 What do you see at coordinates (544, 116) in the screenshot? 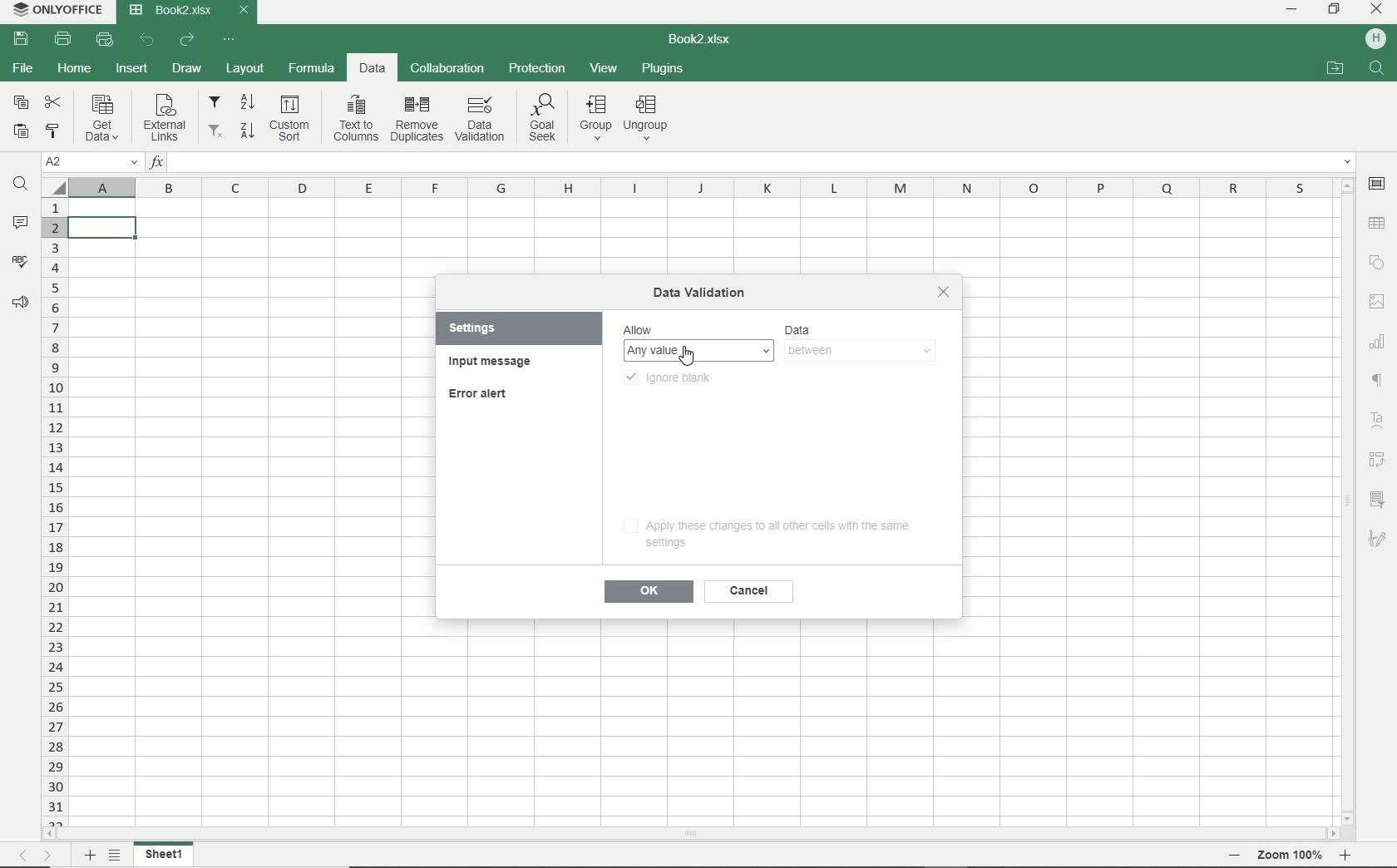
I see `goal seek` at bounding box center [544, 116].